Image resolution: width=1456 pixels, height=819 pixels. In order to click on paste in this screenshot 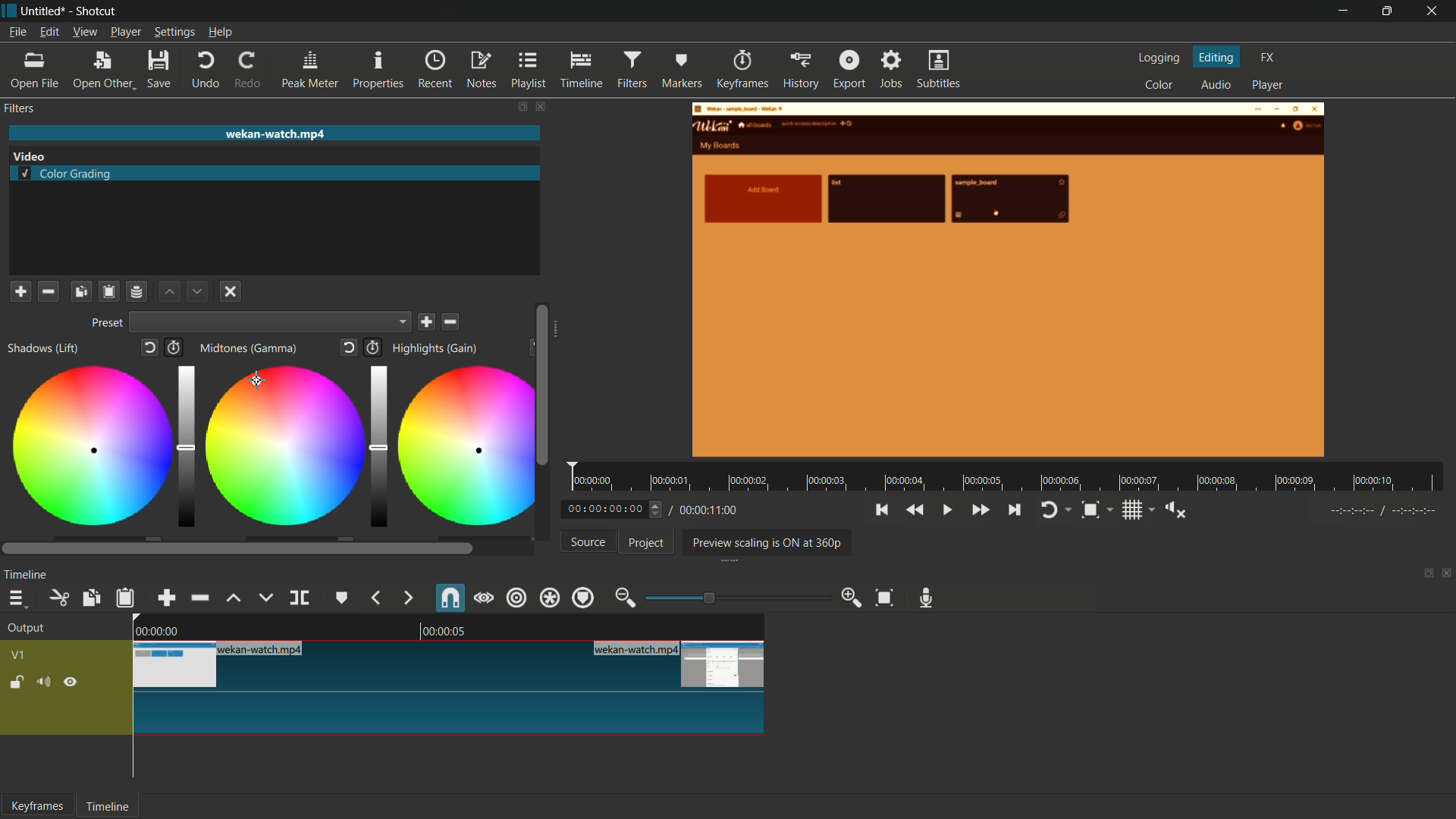, I will do `click(126, 599)`.